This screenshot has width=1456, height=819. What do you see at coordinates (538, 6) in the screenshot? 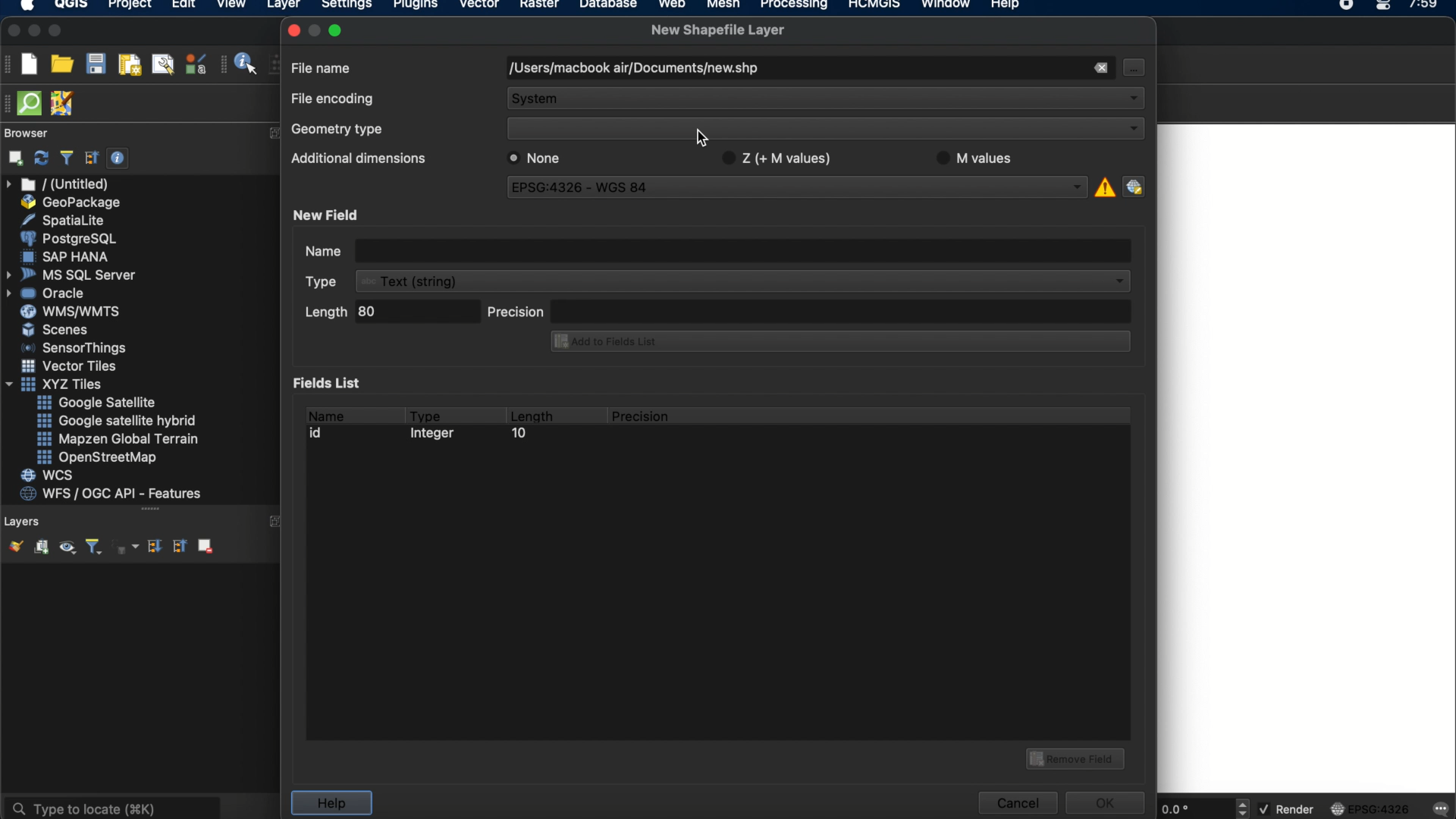
I see `raster` at bounding box center [538, 6].